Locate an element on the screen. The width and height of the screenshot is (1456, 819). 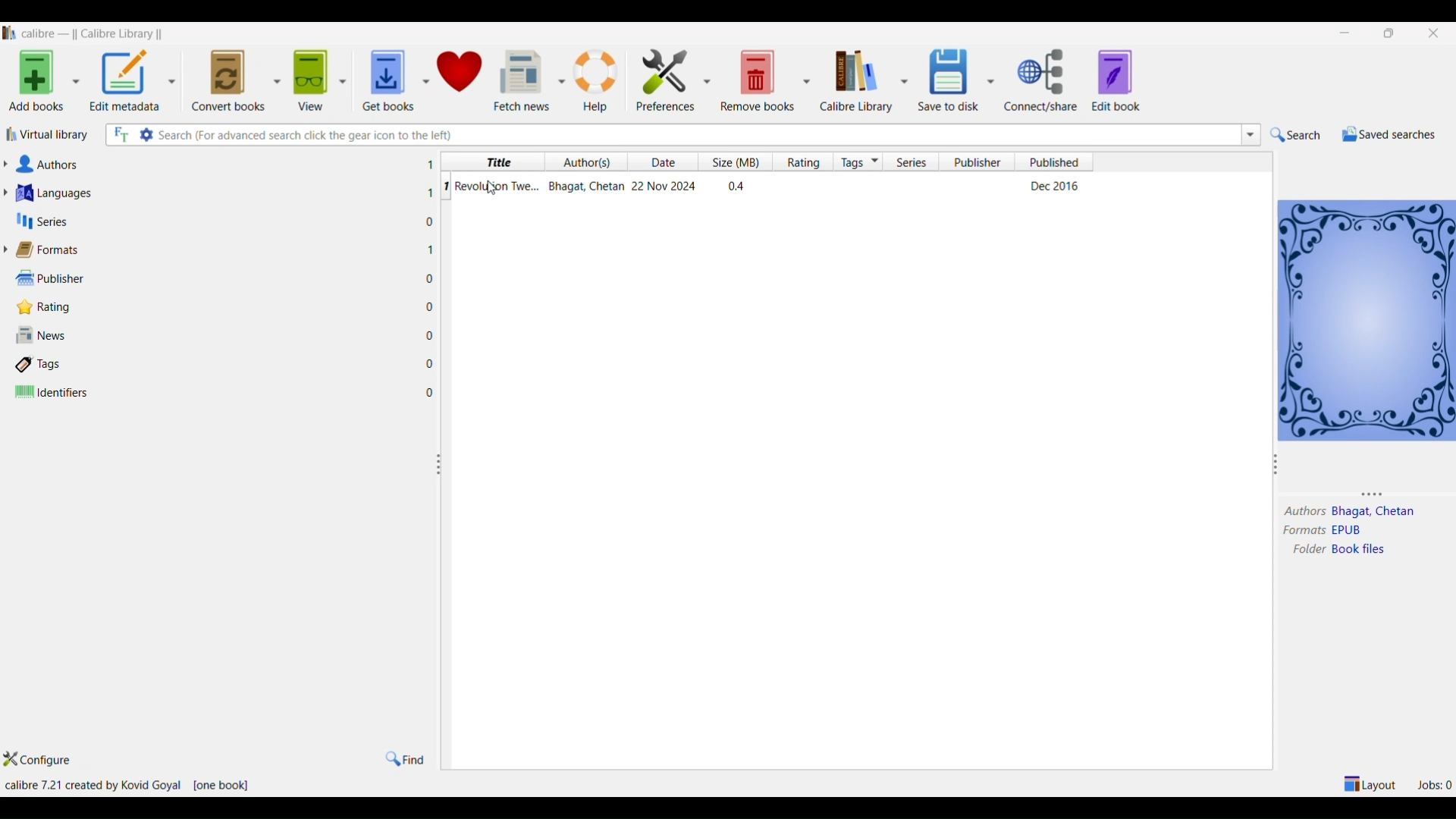
search dropdown button is located at coordinates (1249, 134).